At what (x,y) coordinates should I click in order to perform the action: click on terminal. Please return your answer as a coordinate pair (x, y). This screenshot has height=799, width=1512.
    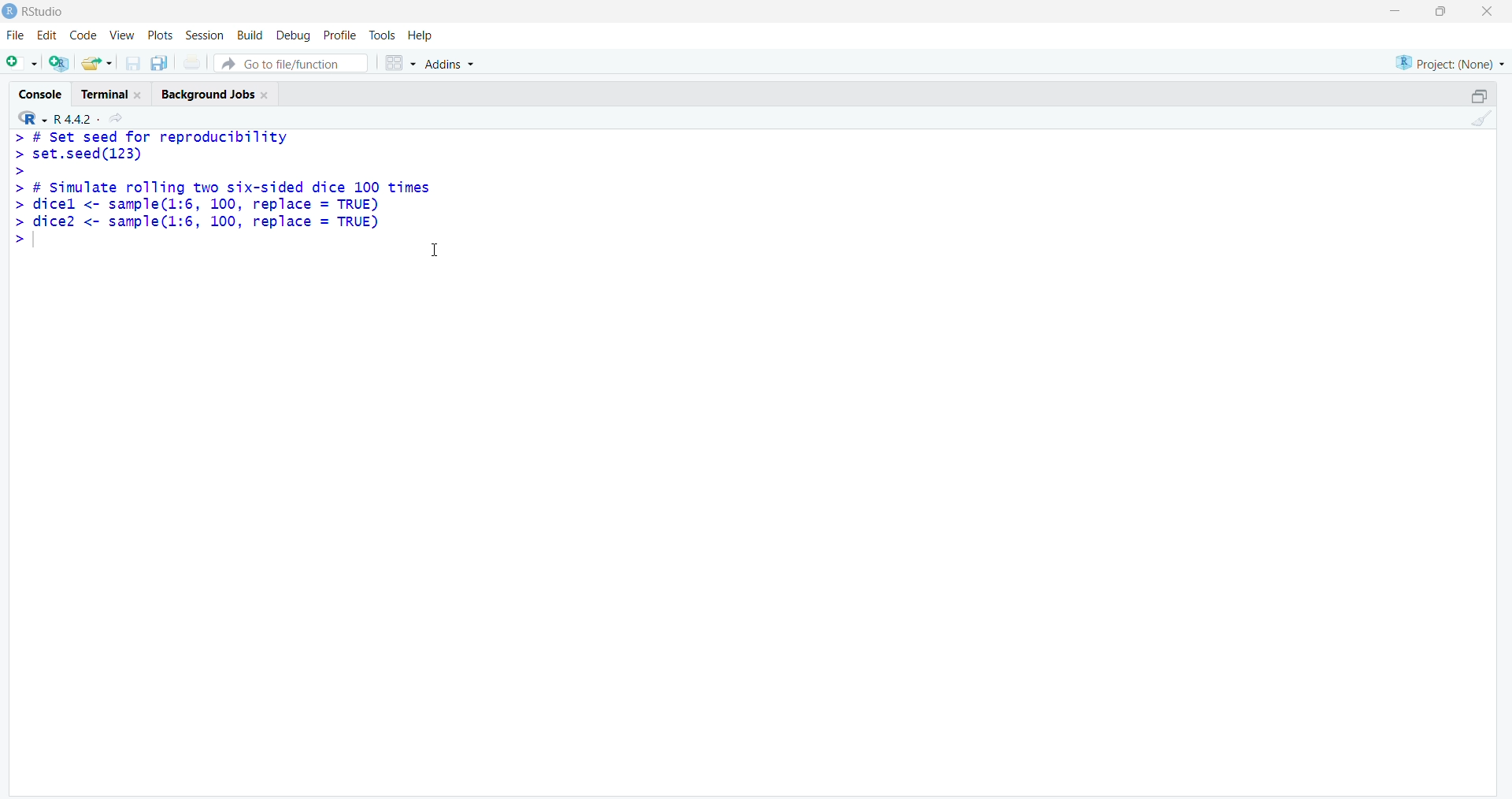
    Looking at the image, I should click on (104, 95).